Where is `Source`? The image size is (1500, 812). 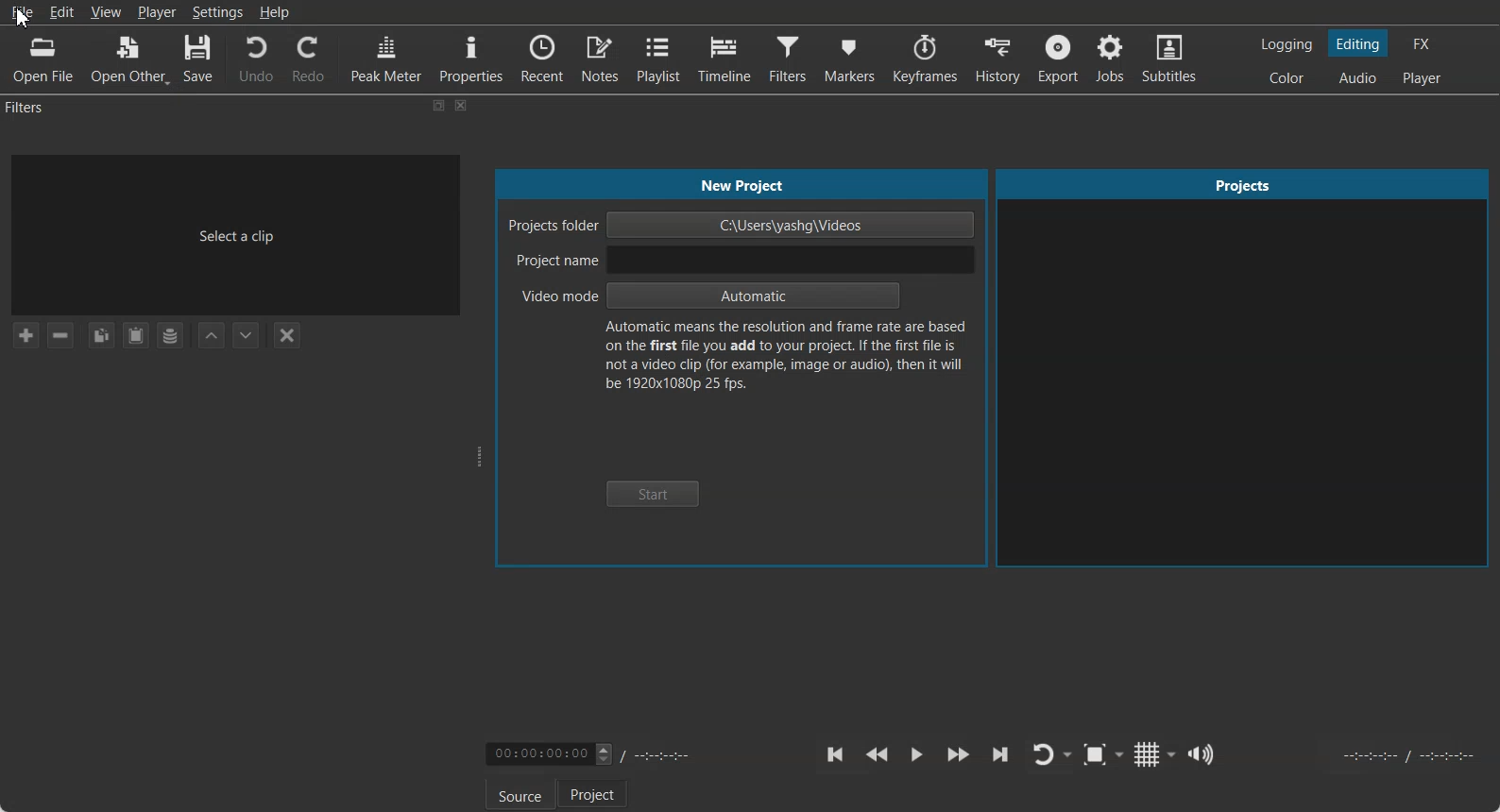
Source is located at coordinates (517, 795).